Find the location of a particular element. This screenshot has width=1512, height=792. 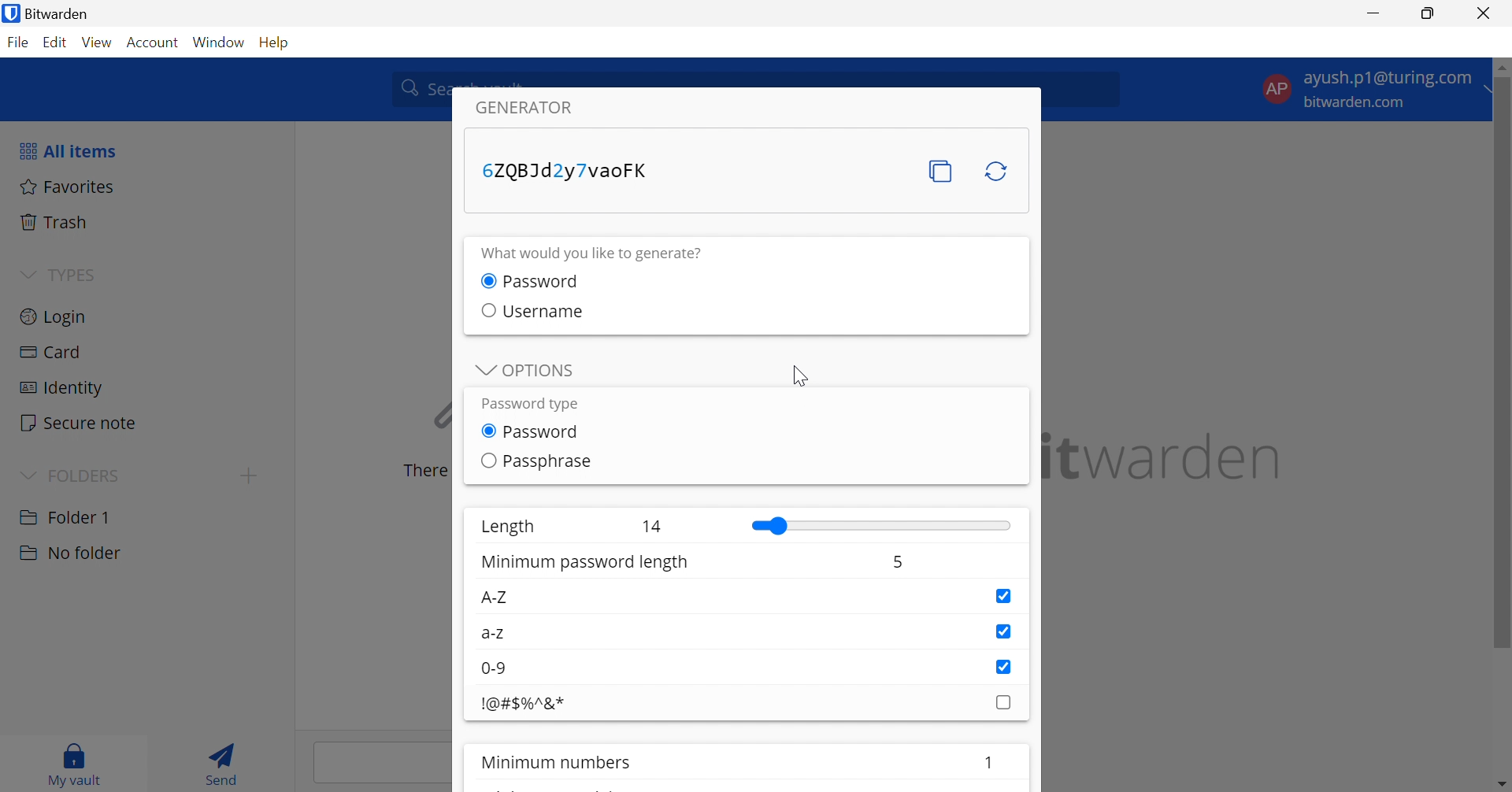

All items is located at coordinates (69, 152).